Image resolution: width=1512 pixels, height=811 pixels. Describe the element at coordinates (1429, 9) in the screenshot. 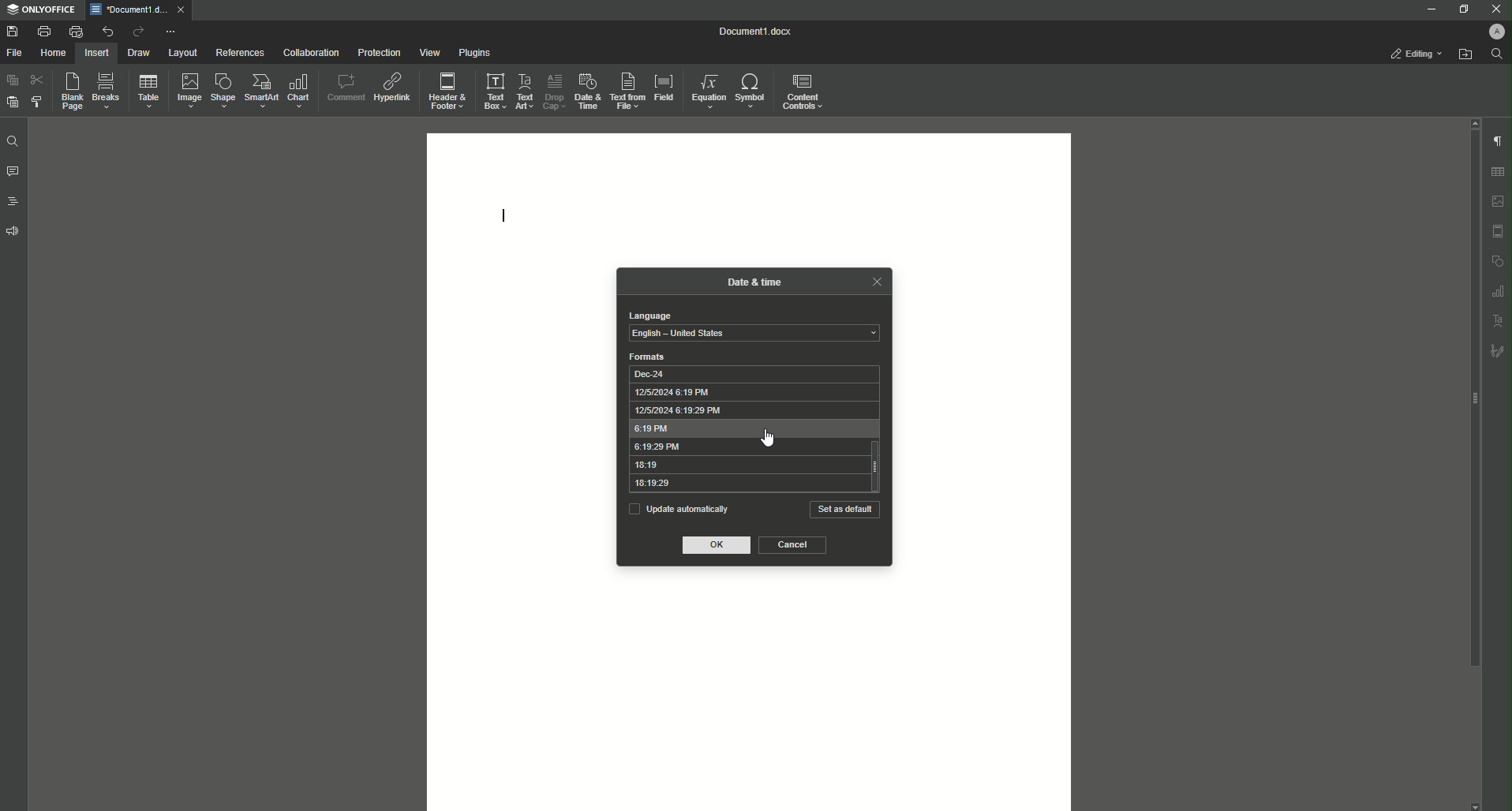

I see `Minimize` at that location.